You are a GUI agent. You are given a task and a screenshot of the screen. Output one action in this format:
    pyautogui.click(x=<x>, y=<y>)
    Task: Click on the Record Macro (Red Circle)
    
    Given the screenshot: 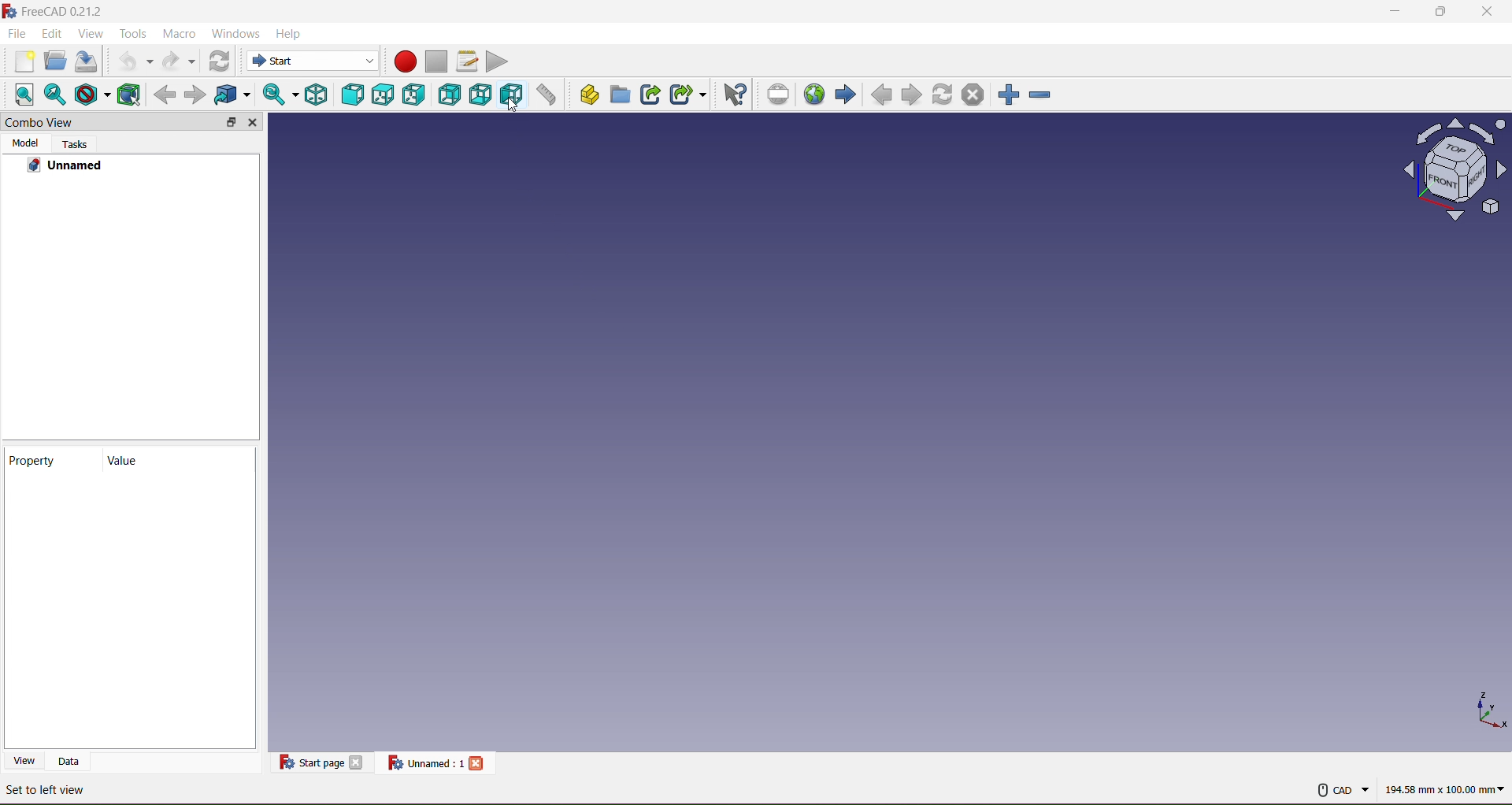 What is the action you would take?
    pyautogui.click(x=405, y=61)
    